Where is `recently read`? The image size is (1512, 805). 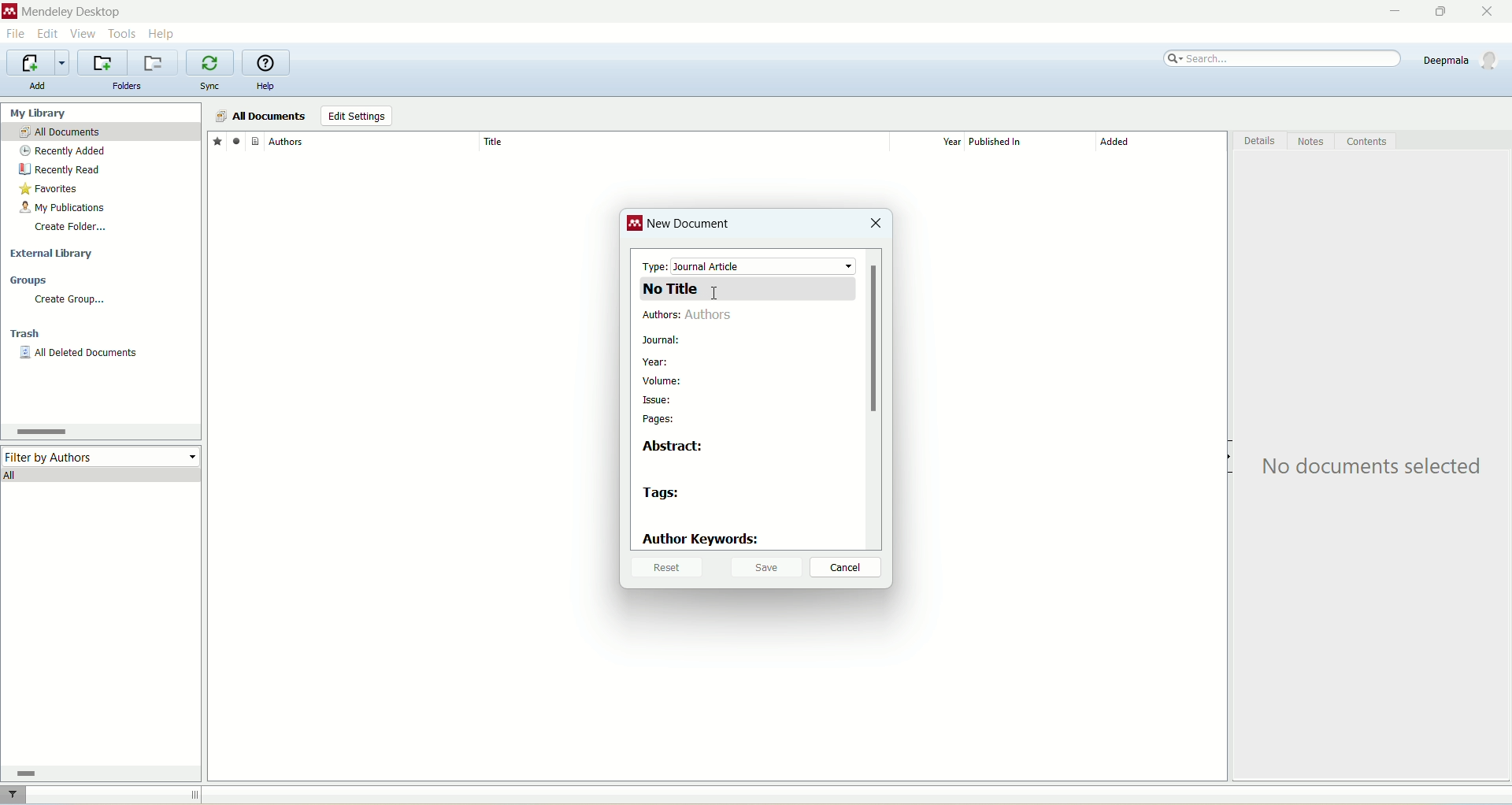
recently read is located at coordinates (59, 169).